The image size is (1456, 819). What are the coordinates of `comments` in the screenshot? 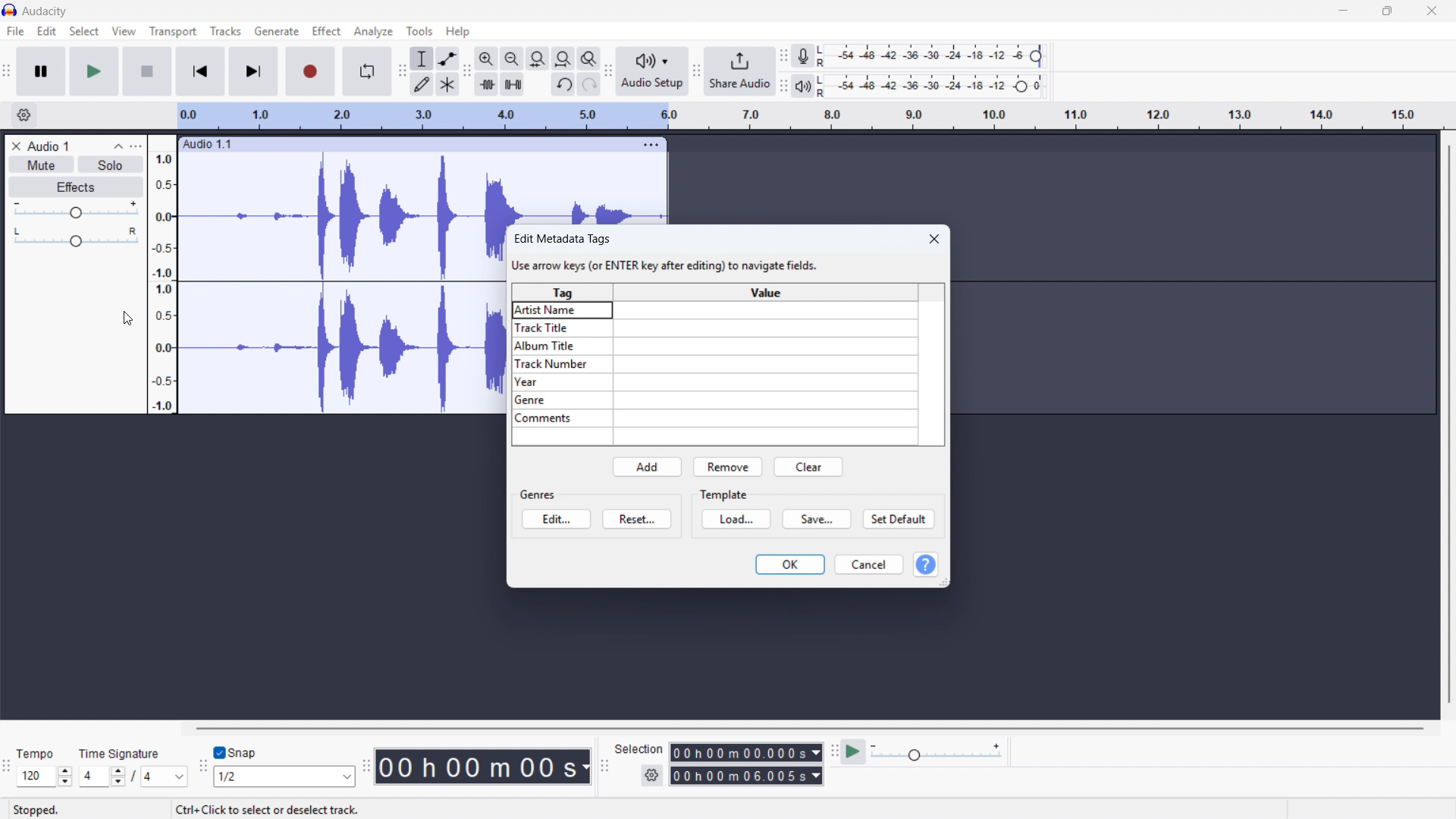 It's located at (715, 418).